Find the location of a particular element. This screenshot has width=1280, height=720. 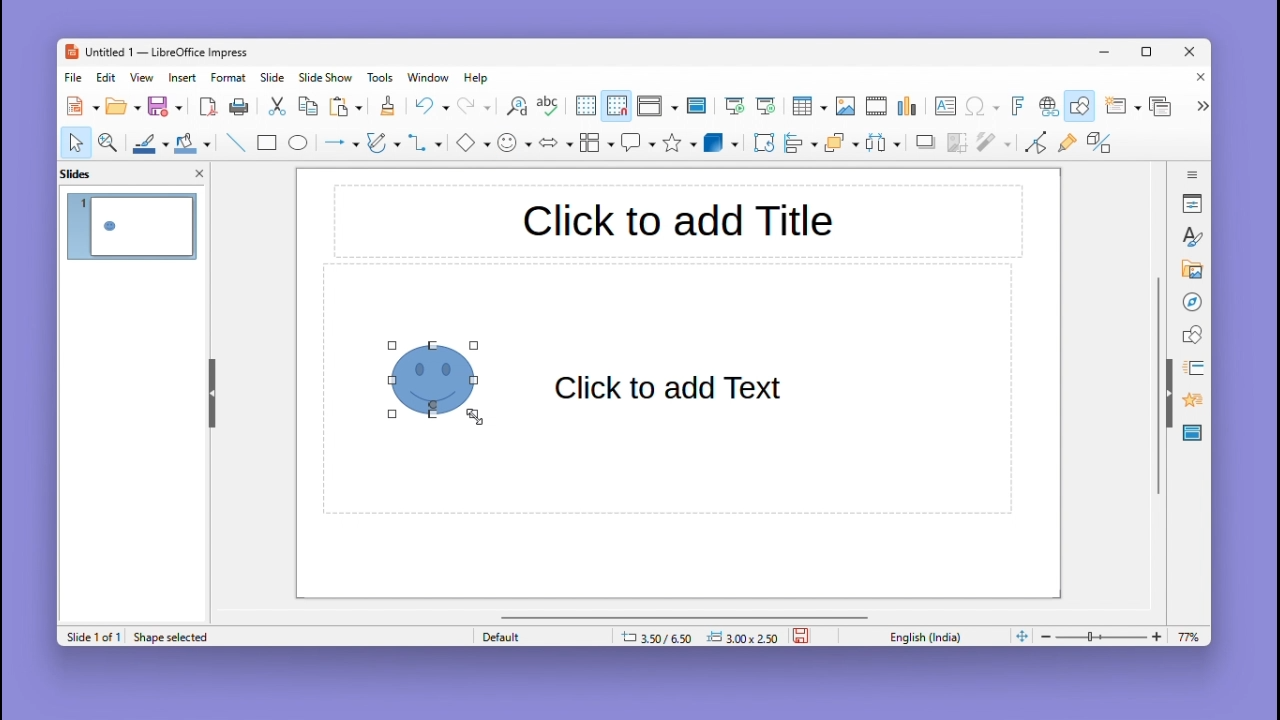

Filter is located at coordinates (992, 148).